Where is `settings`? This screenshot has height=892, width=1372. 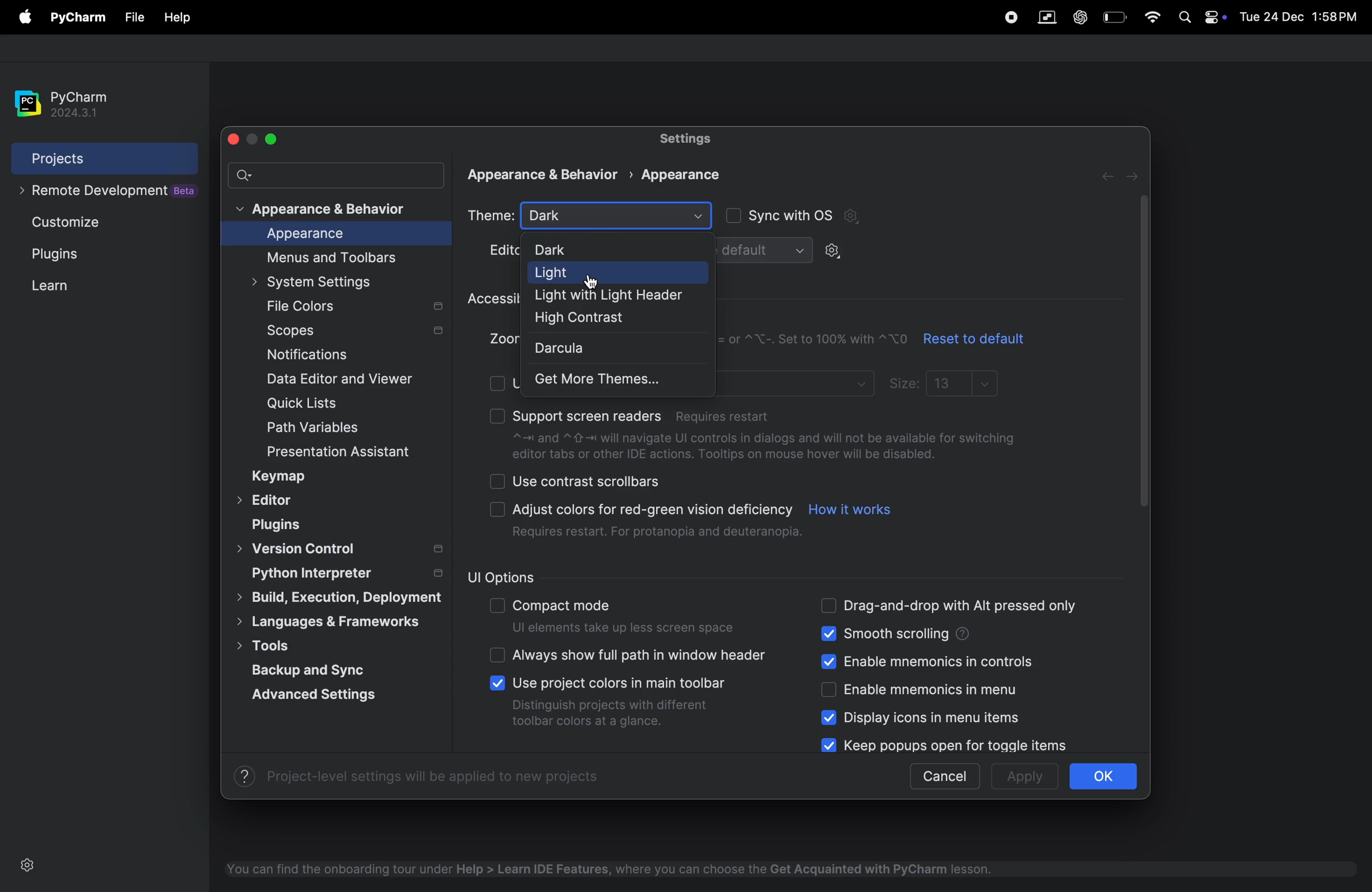 settings is located at coordinates (31, 864).